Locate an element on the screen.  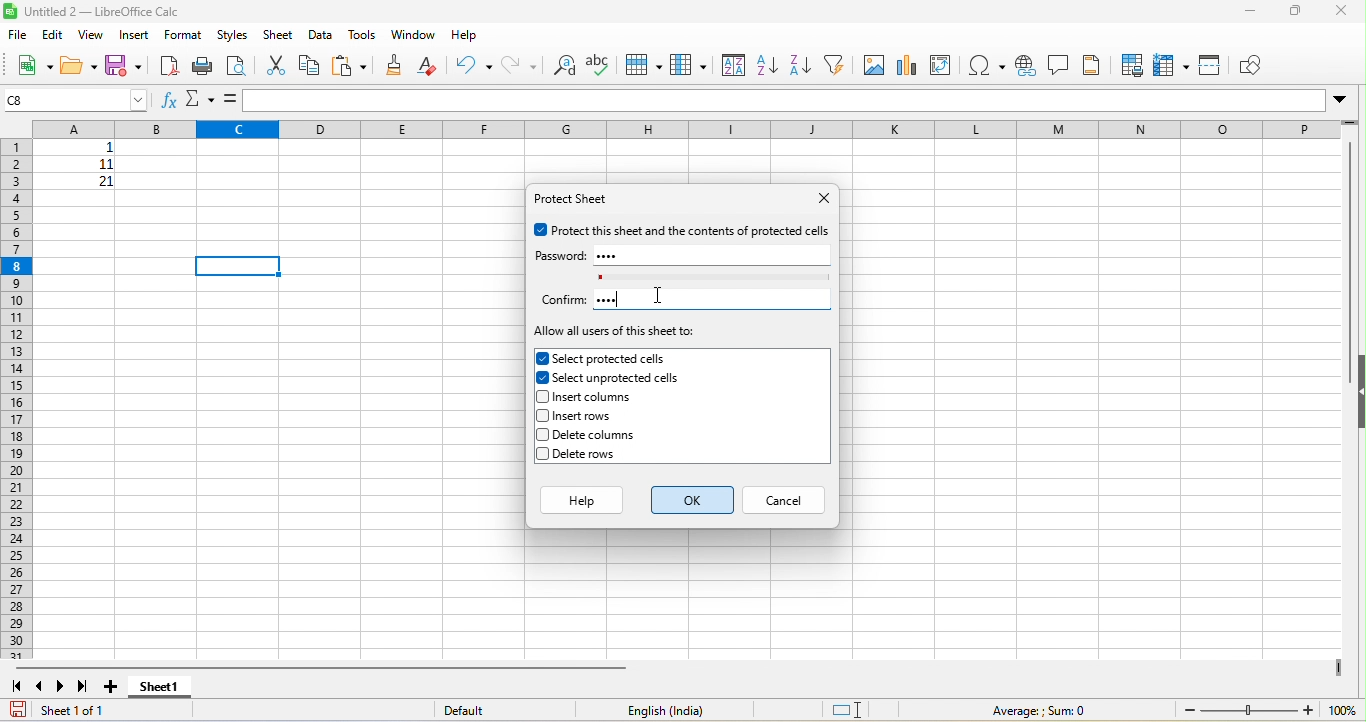
ok is located at coordinates (692, 500).